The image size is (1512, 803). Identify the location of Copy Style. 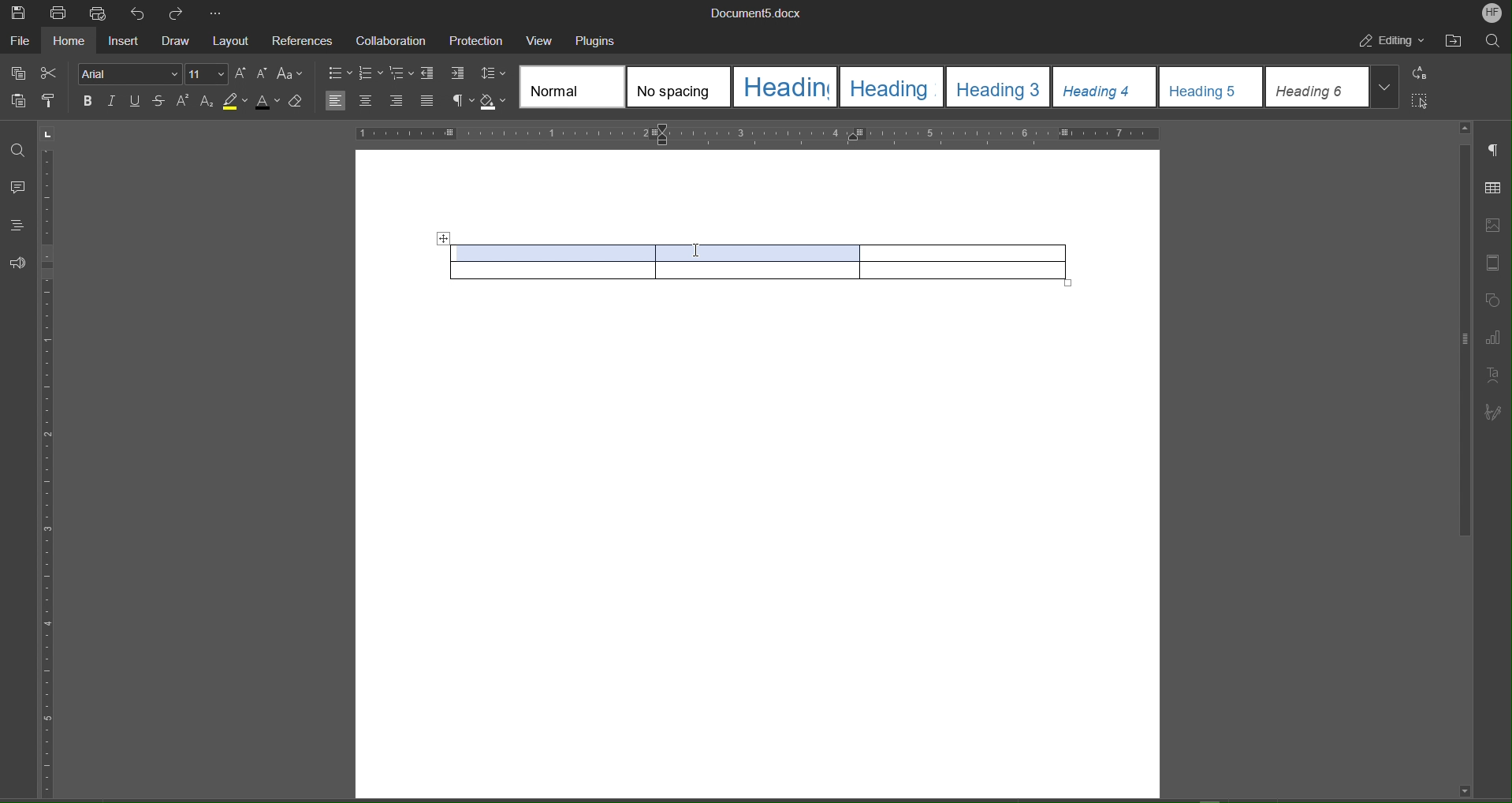
(53, 103).